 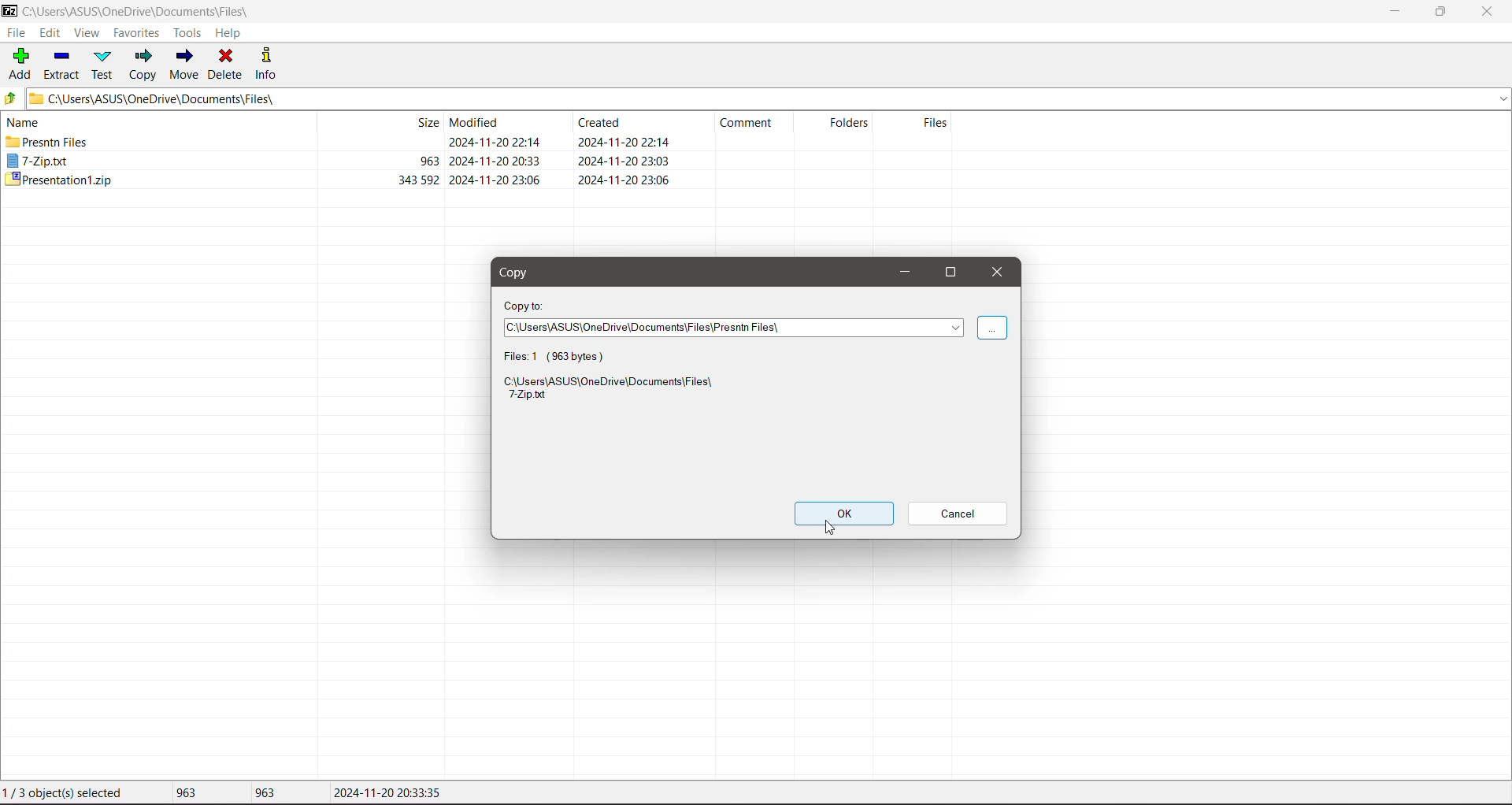 What do you see at coordinates (992, 329) in the screenshot?
I see `Click to Browse for more locations` at bounding box center [992, 329].